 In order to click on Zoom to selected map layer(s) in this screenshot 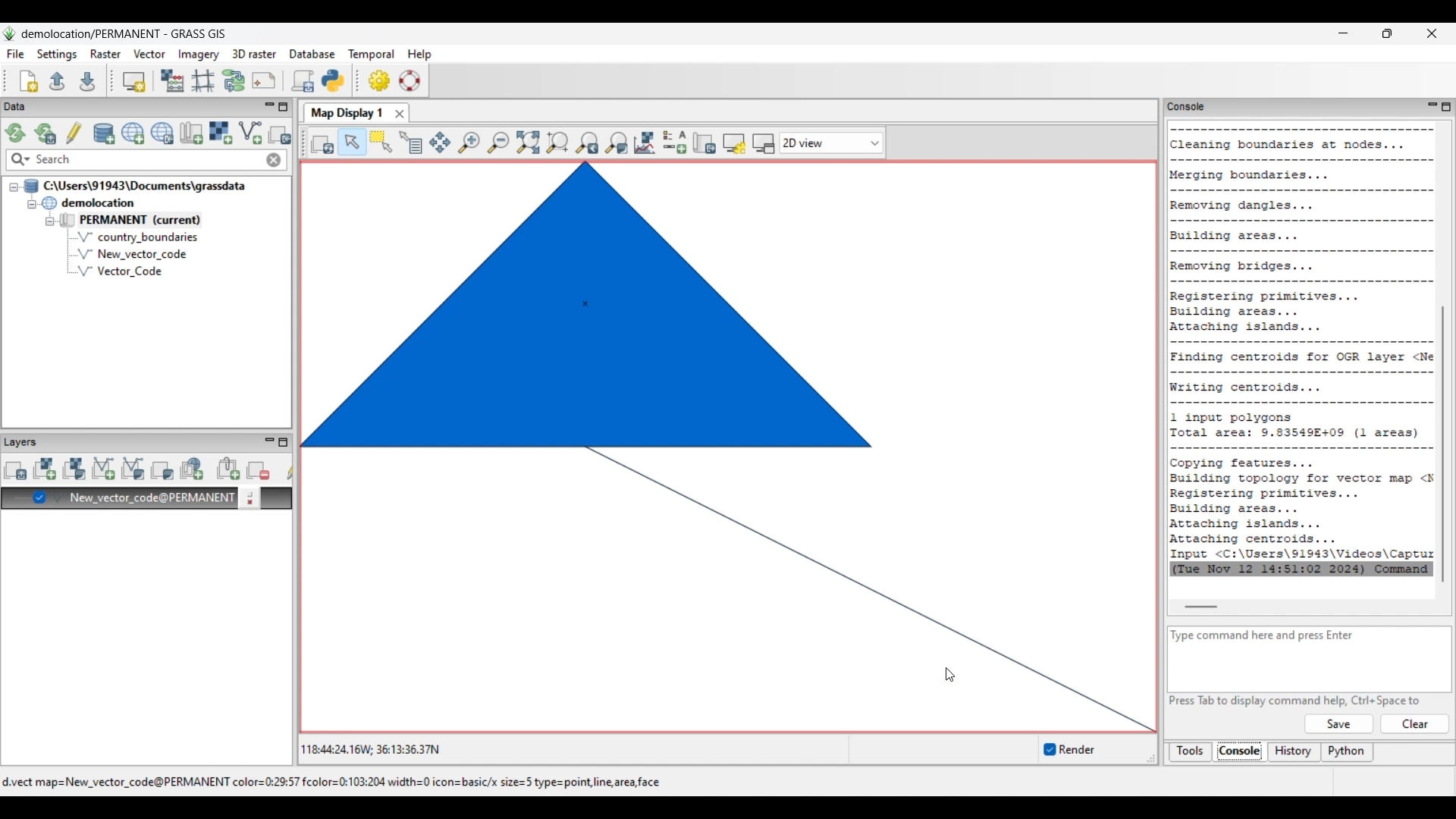, I will do `click(528, 143)`.